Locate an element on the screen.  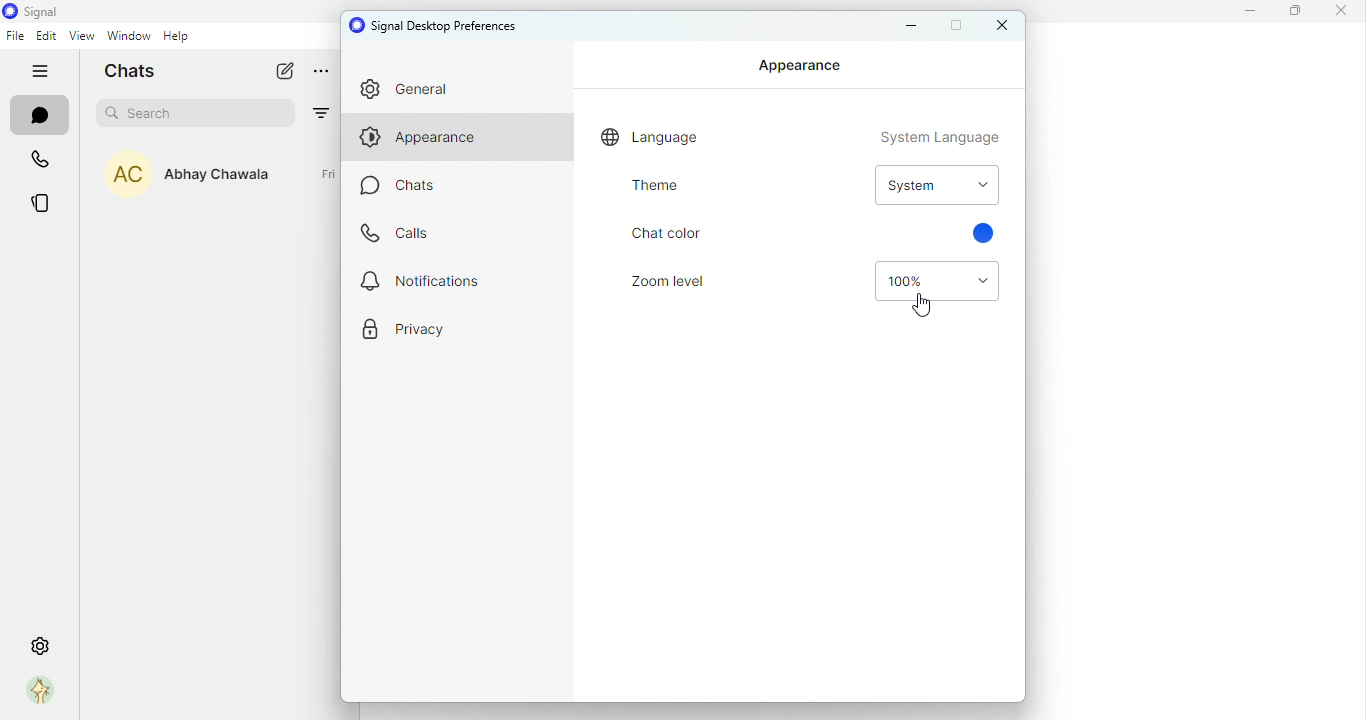
view is located at coordinates (81, 37).